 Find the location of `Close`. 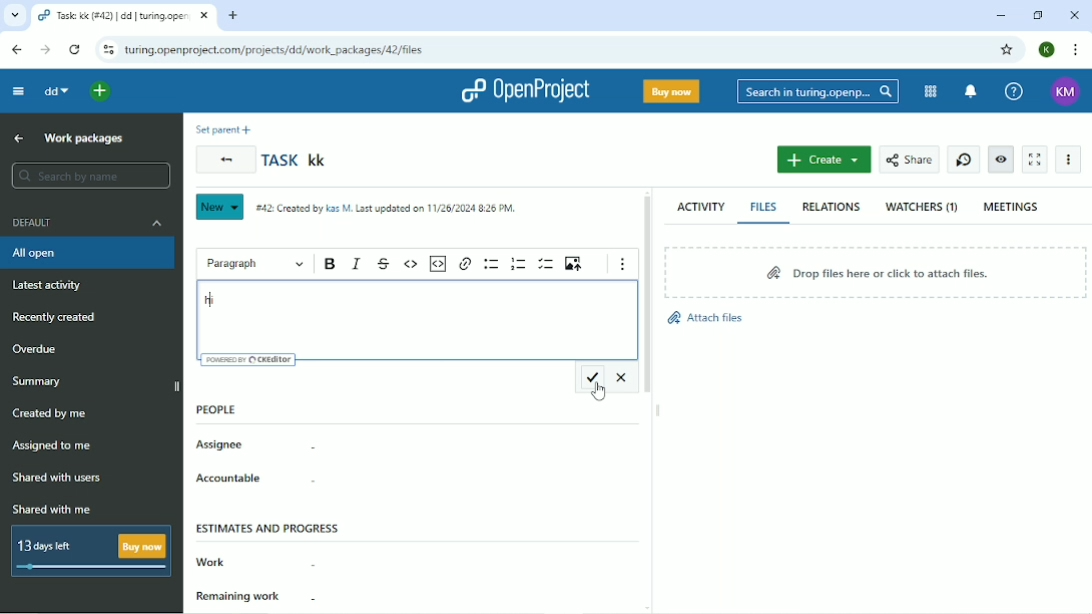

Close is located at coordinates (1076, 15).